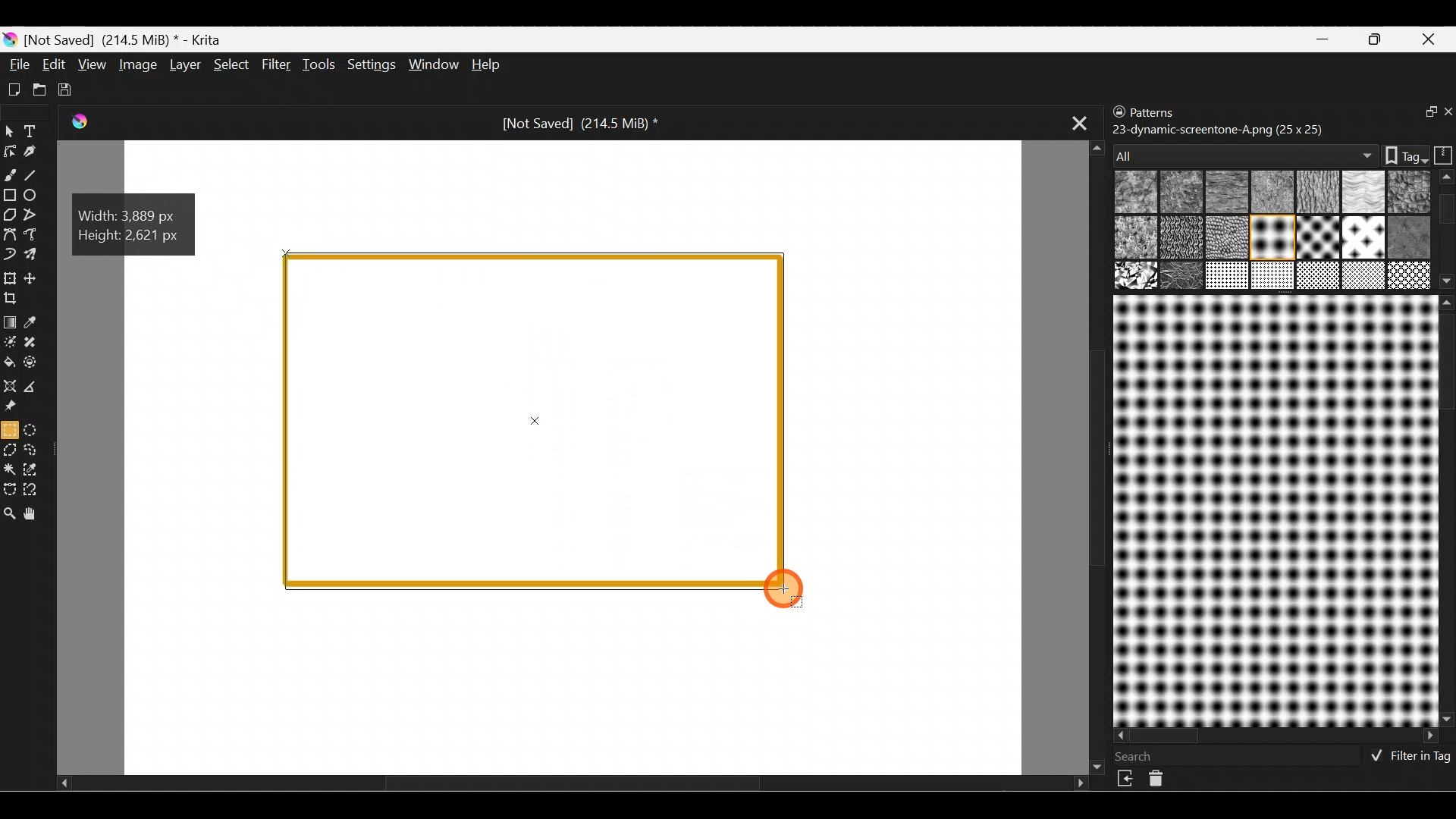 This screenshot has height=819, width=1456. I want to click on Krita logo, so click(9, 40).